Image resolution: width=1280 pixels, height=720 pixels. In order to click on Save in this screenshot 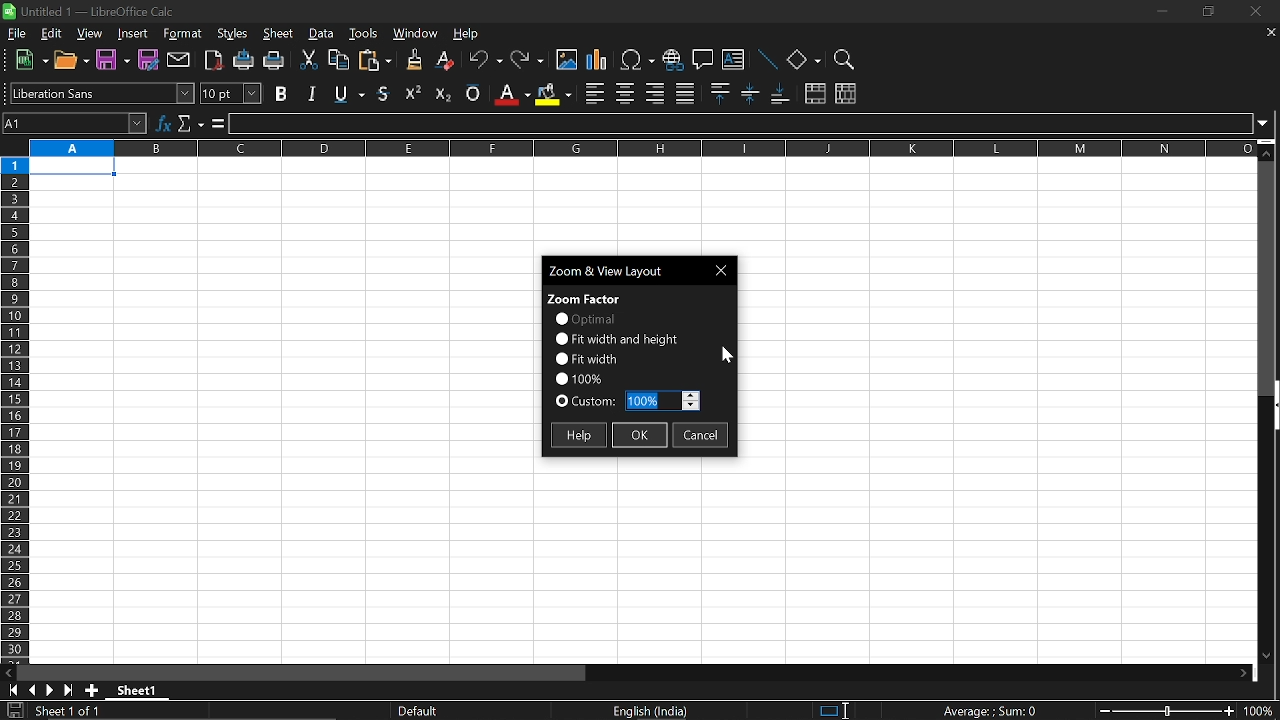, I will do `click(111, 61)`.